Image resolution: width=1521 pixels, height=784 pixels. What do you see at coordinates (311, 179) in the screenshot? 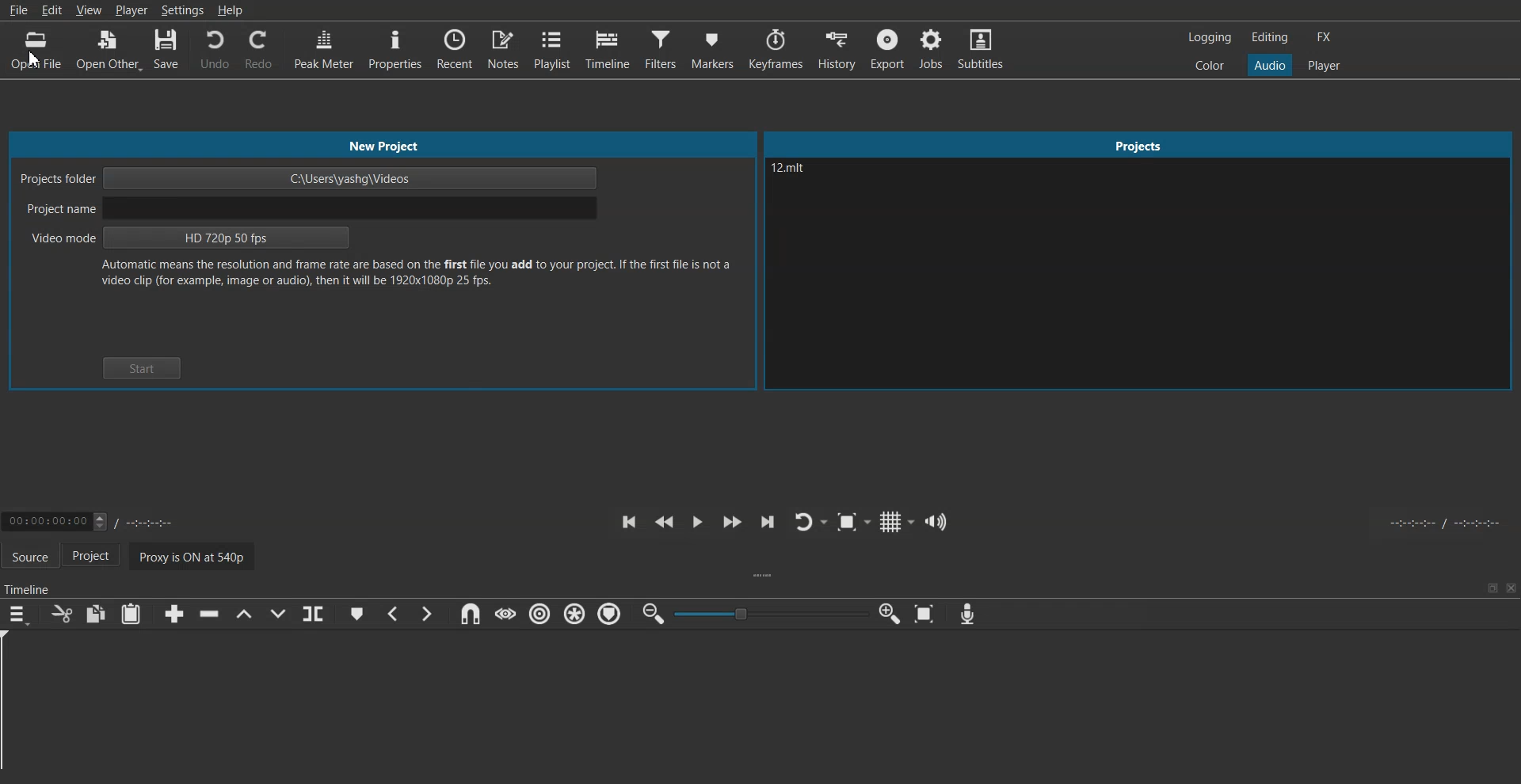
I see `Project folder path address` at bounding box center [311, 179].